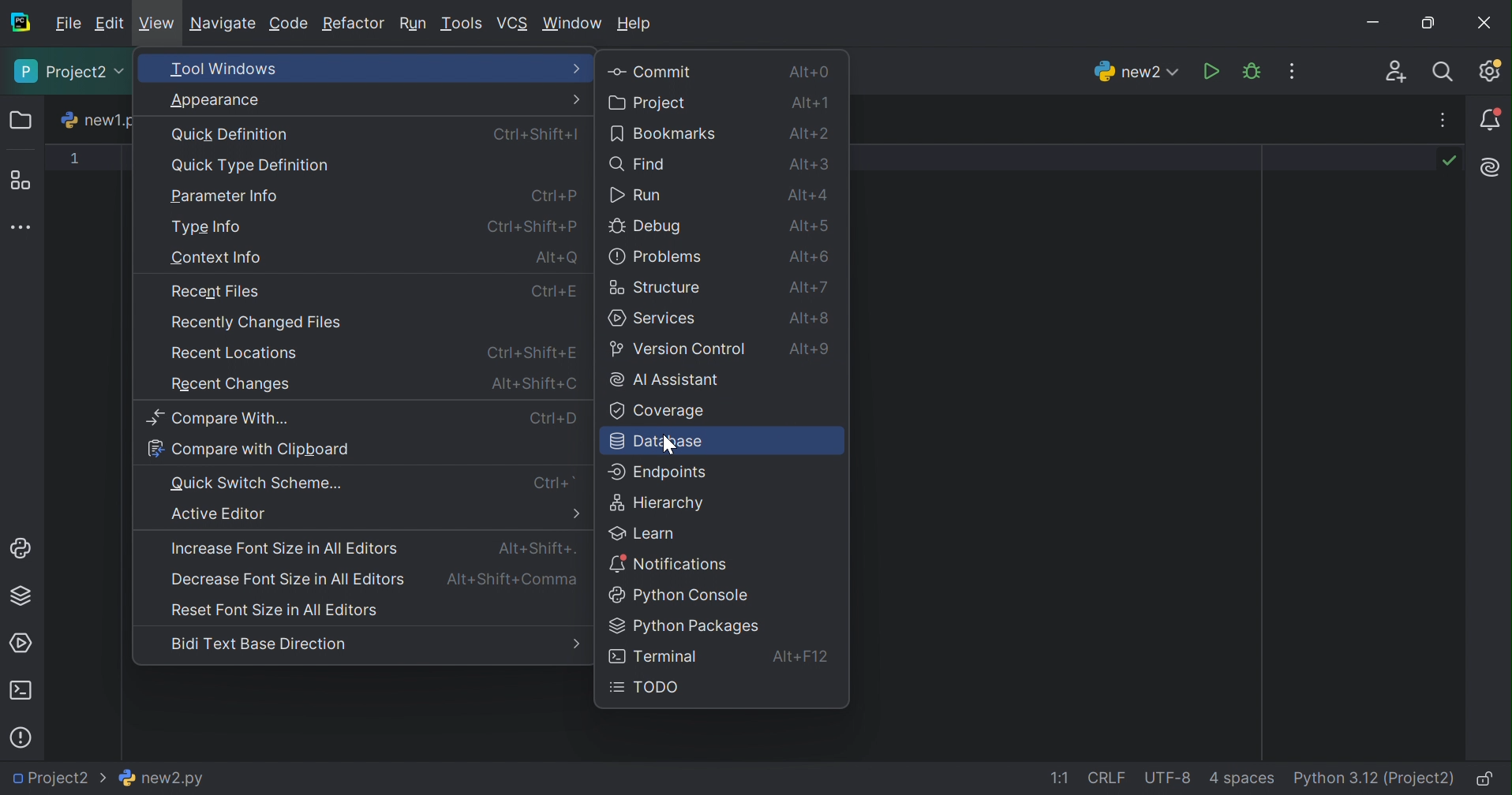 This screenshot has height=795, width=1512. I want to click on , so click(657, 256).